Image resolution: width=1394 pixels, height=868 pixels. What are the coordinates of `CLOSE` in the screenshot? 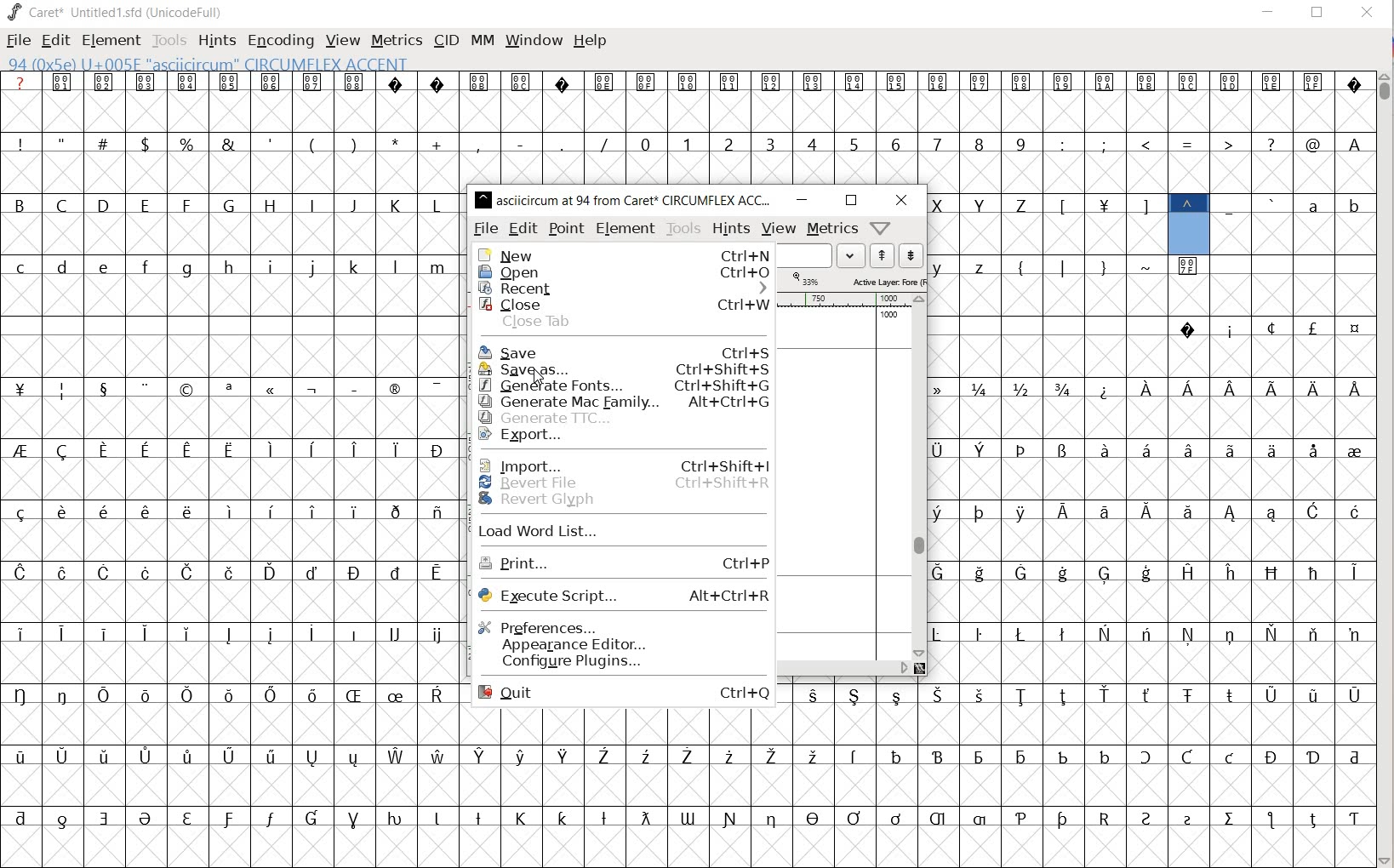 It's located at (1365, 14).